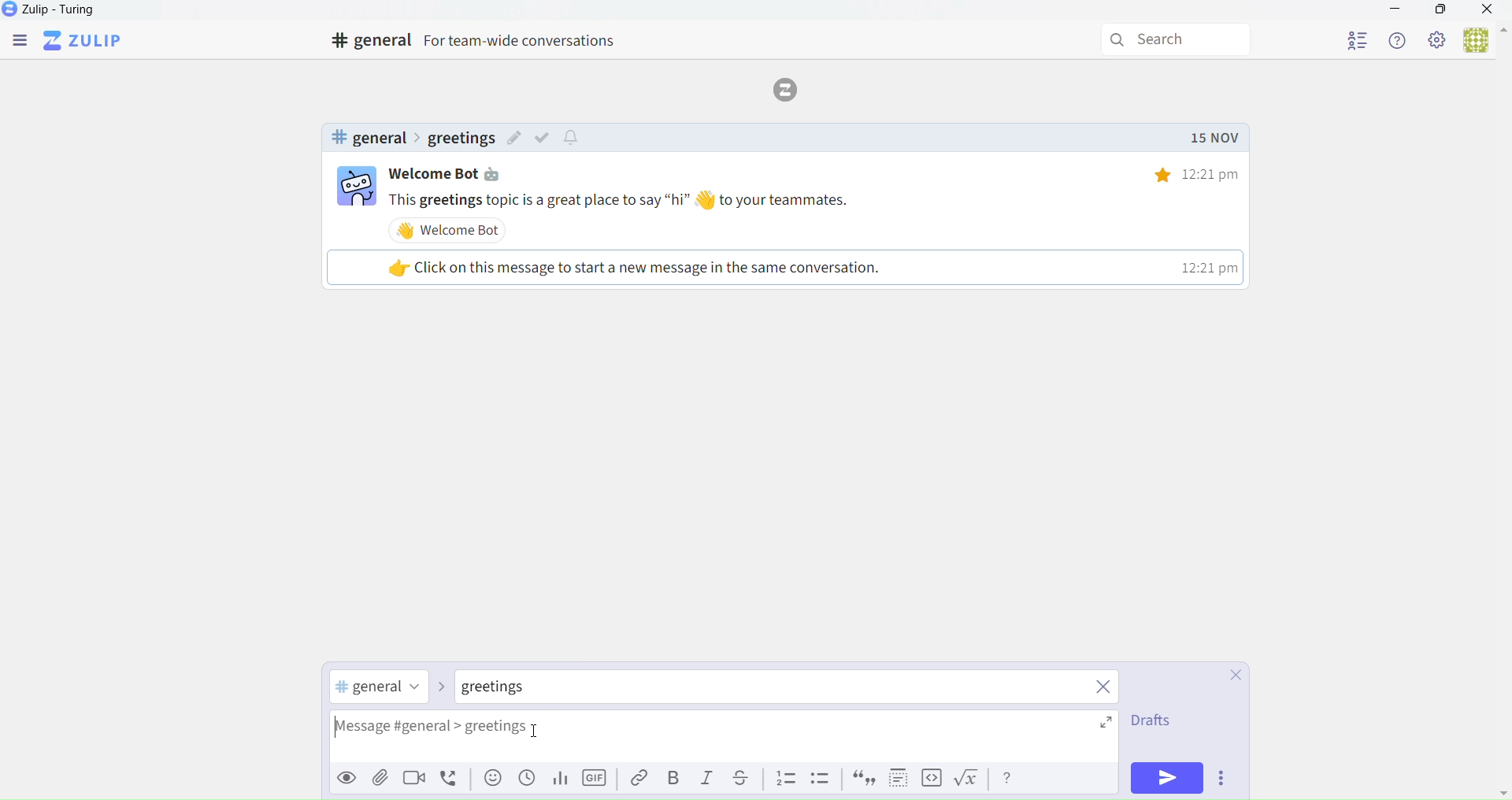 The height and width of the screenshot is (800, 1512). Describe the element at coordinates (491, 782) in the screenshot. I see `Emoji` at that location.